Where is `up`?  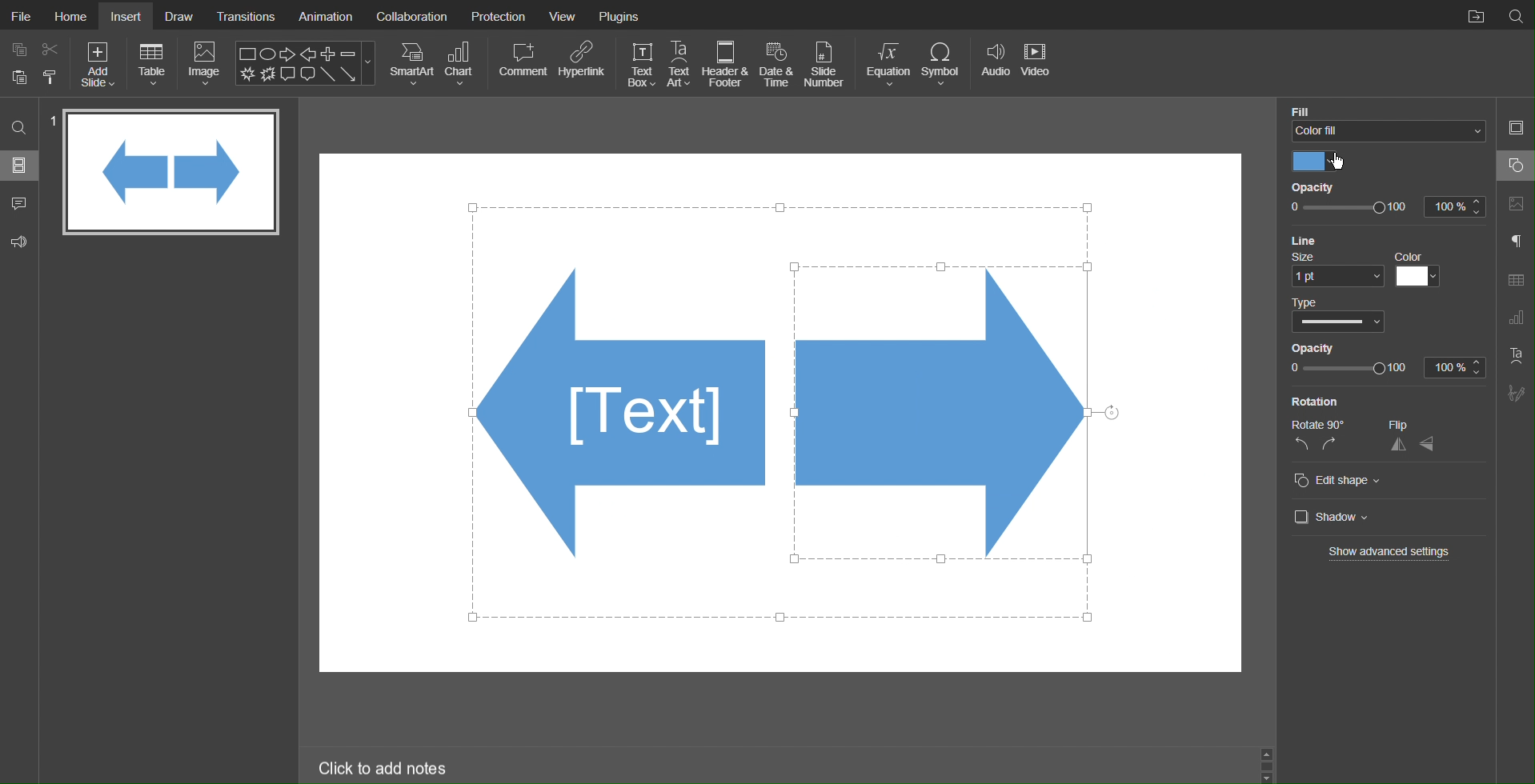
up is located at coordinates (1269, 754).